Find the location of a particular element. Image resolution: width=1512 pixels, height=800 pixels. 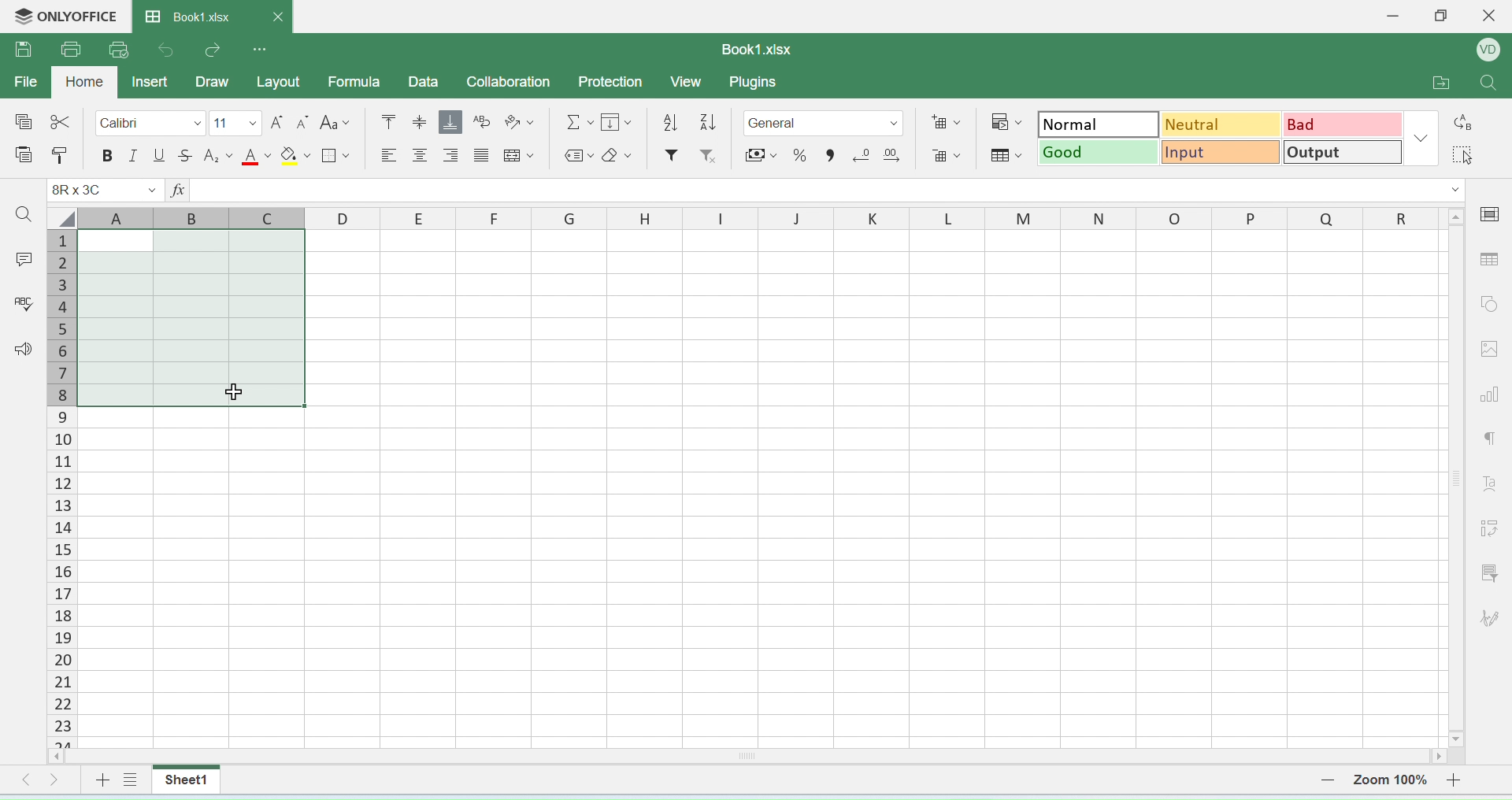

normal is located at coordinates (1095, 123).